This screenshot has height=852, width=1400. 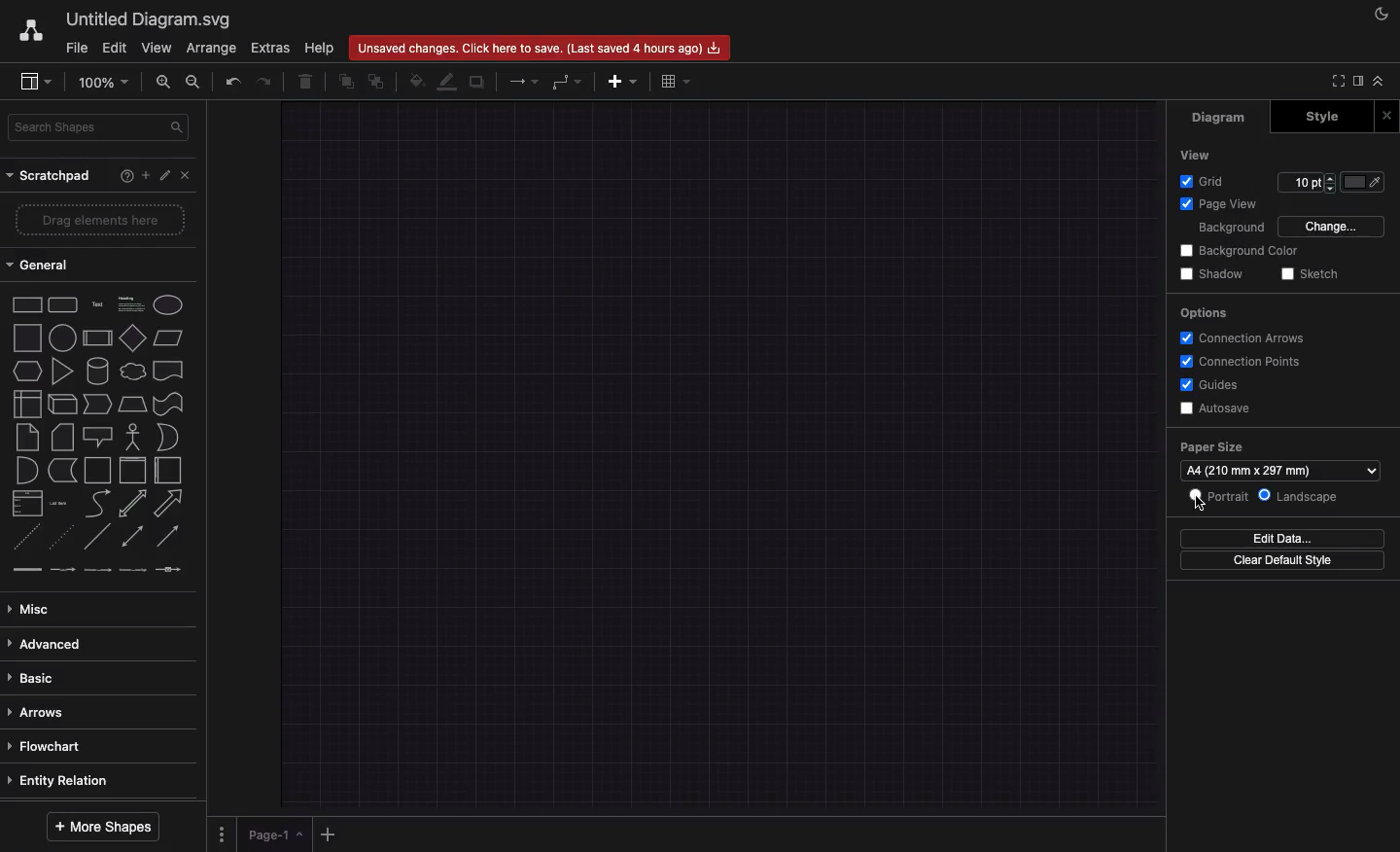 I want to click on Sidebar, so click(x=1360, y=81).